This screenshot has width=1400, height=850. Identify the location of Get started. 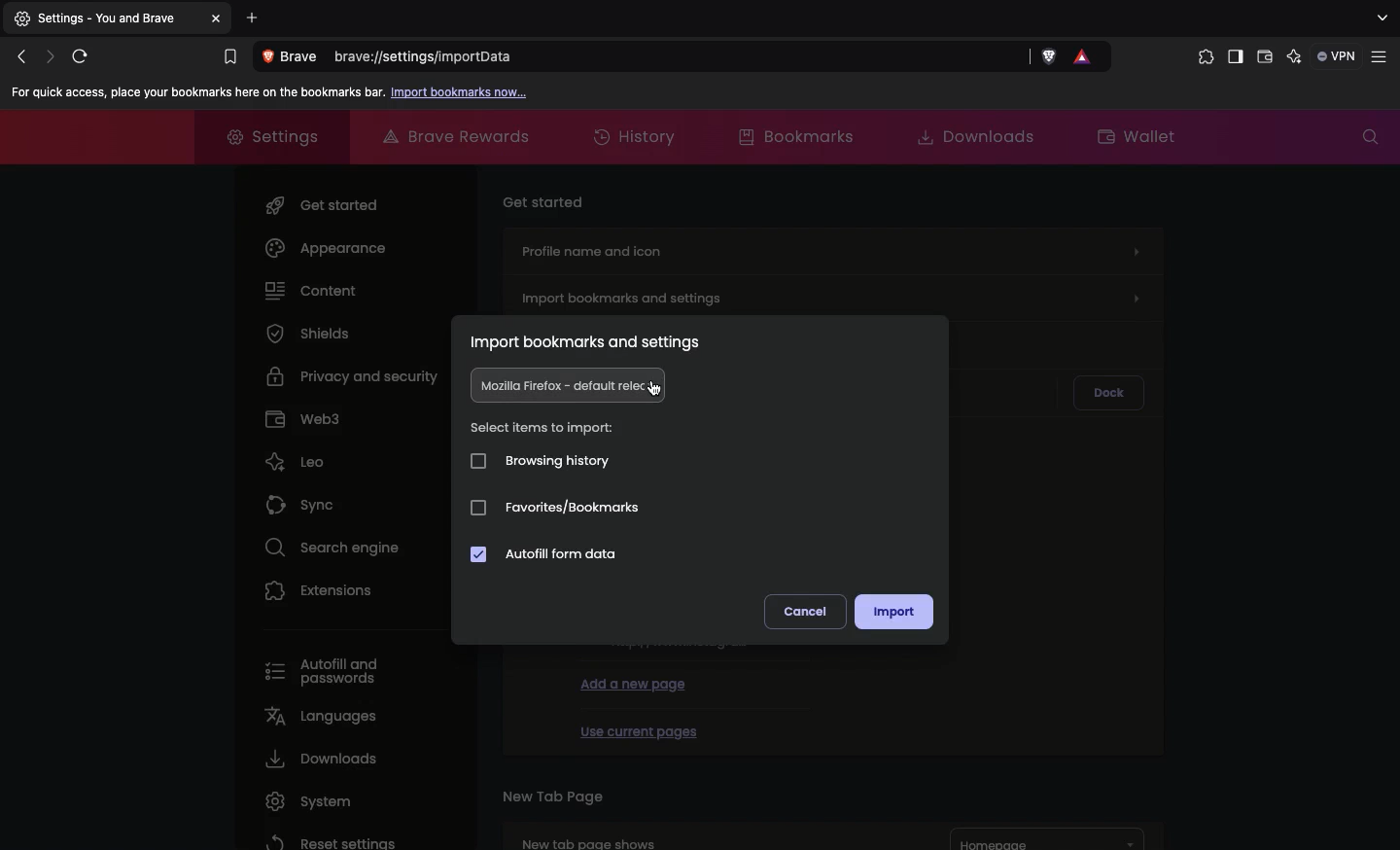
(545, 199).